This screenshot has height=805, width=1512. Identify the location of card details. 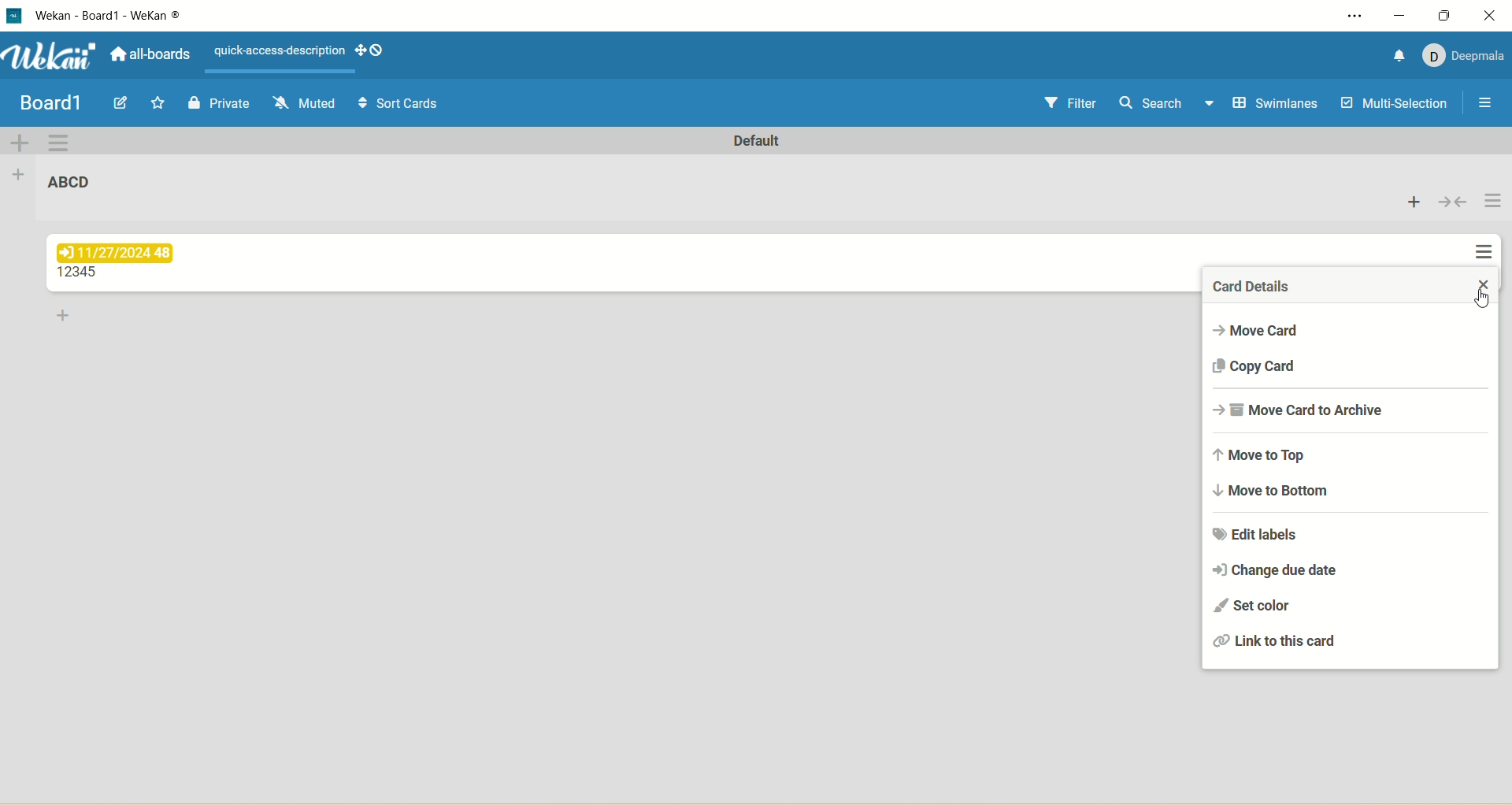
(1253, 287).